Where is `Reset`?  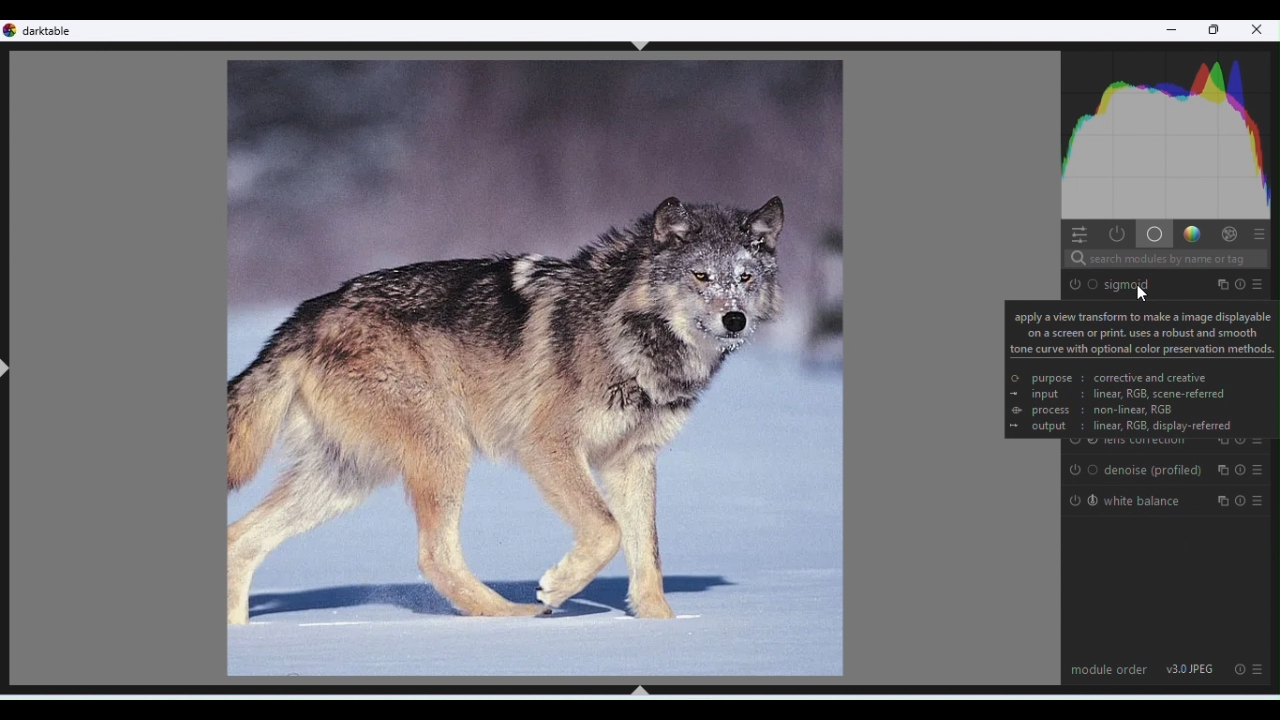 Reset is located at coordinates (1238, 668).